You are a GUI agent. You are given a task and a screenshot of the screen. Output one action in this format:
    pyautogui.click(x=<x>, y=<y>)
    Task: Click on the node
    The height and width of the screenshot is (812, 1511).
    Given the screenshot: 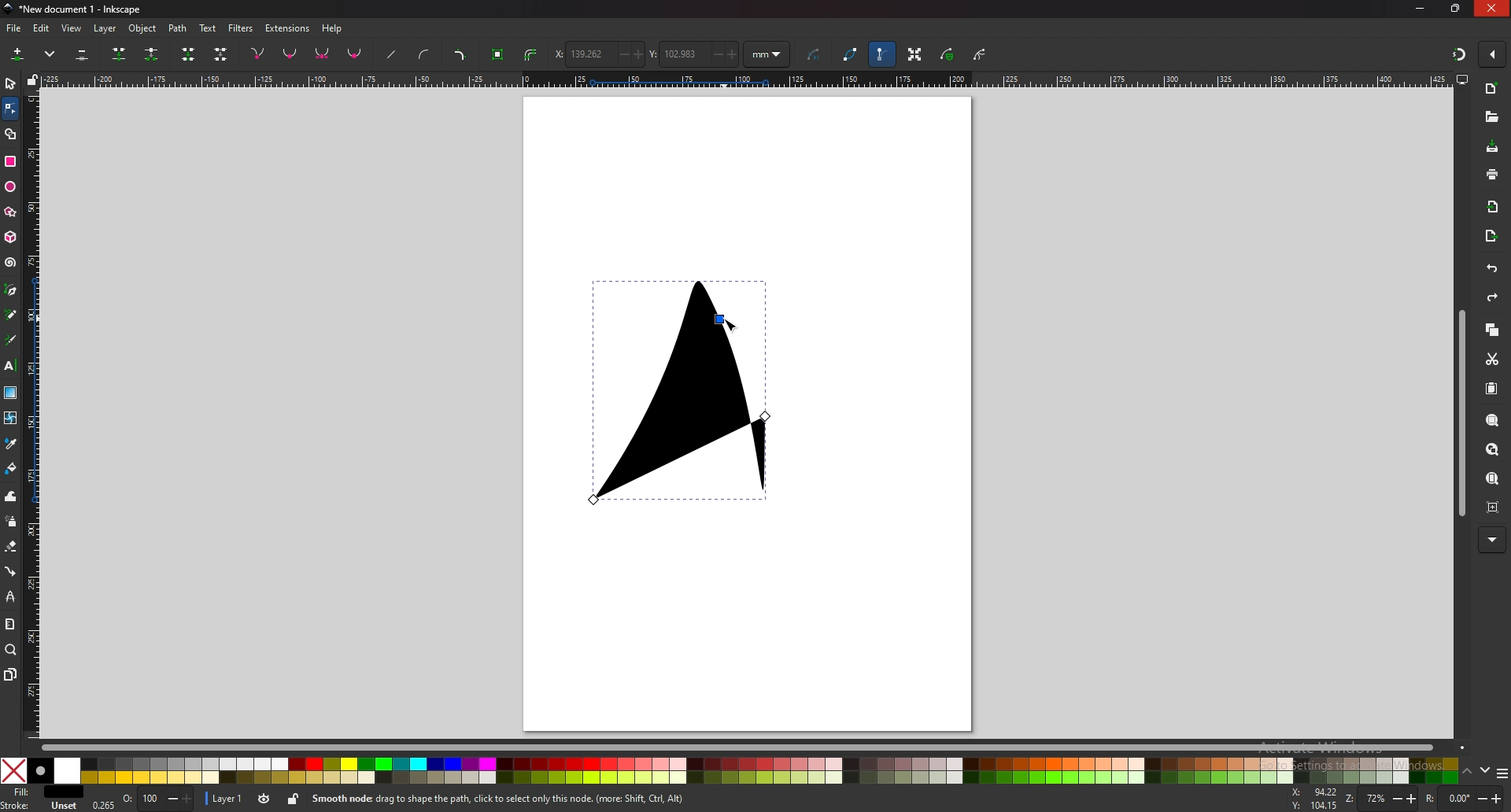 What is the action you would take?
    pyautogui.click(x=9, y=108)
    